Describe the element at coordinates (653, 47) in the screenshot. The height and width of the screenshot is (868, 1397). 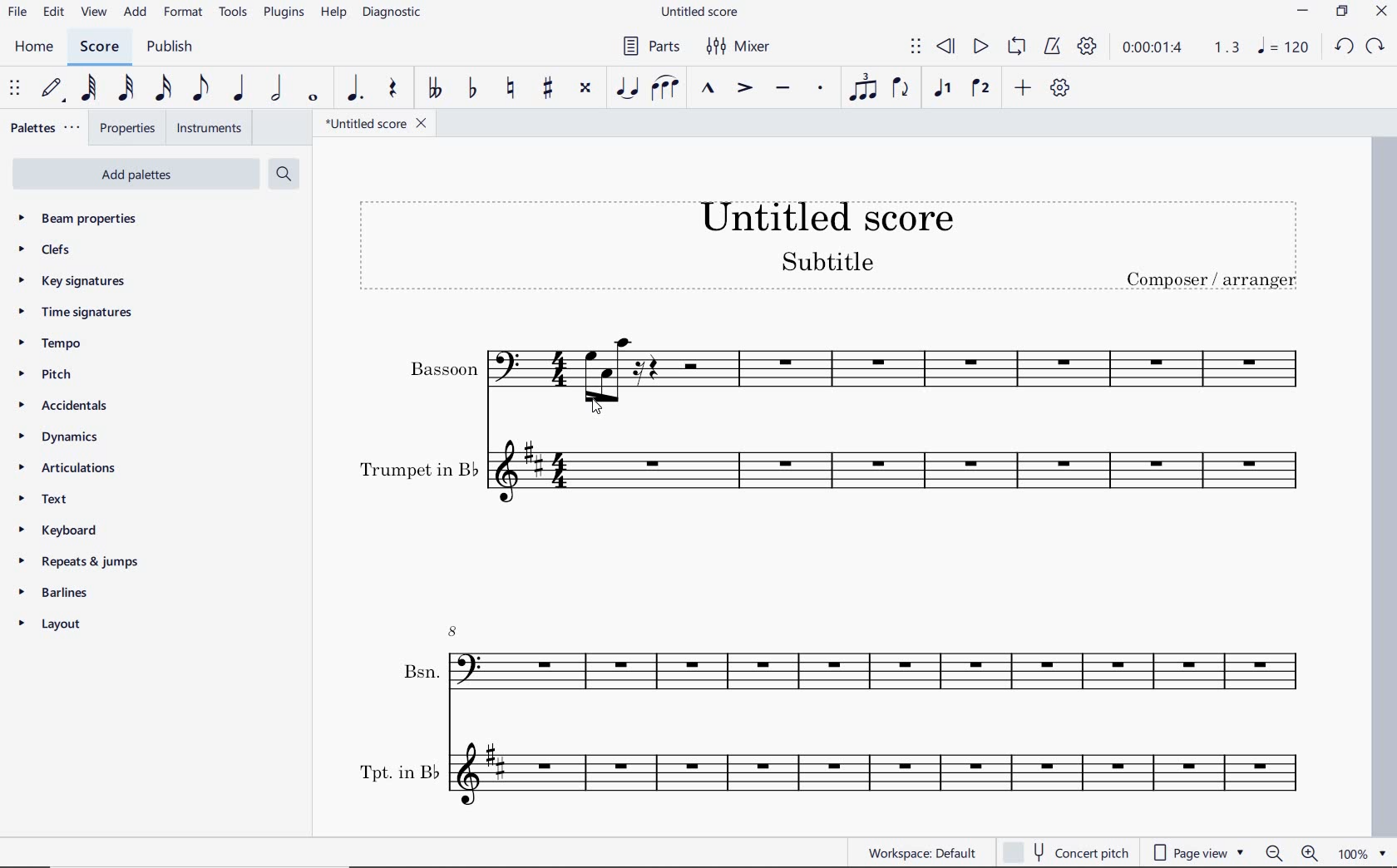
I see `parts` at that location.